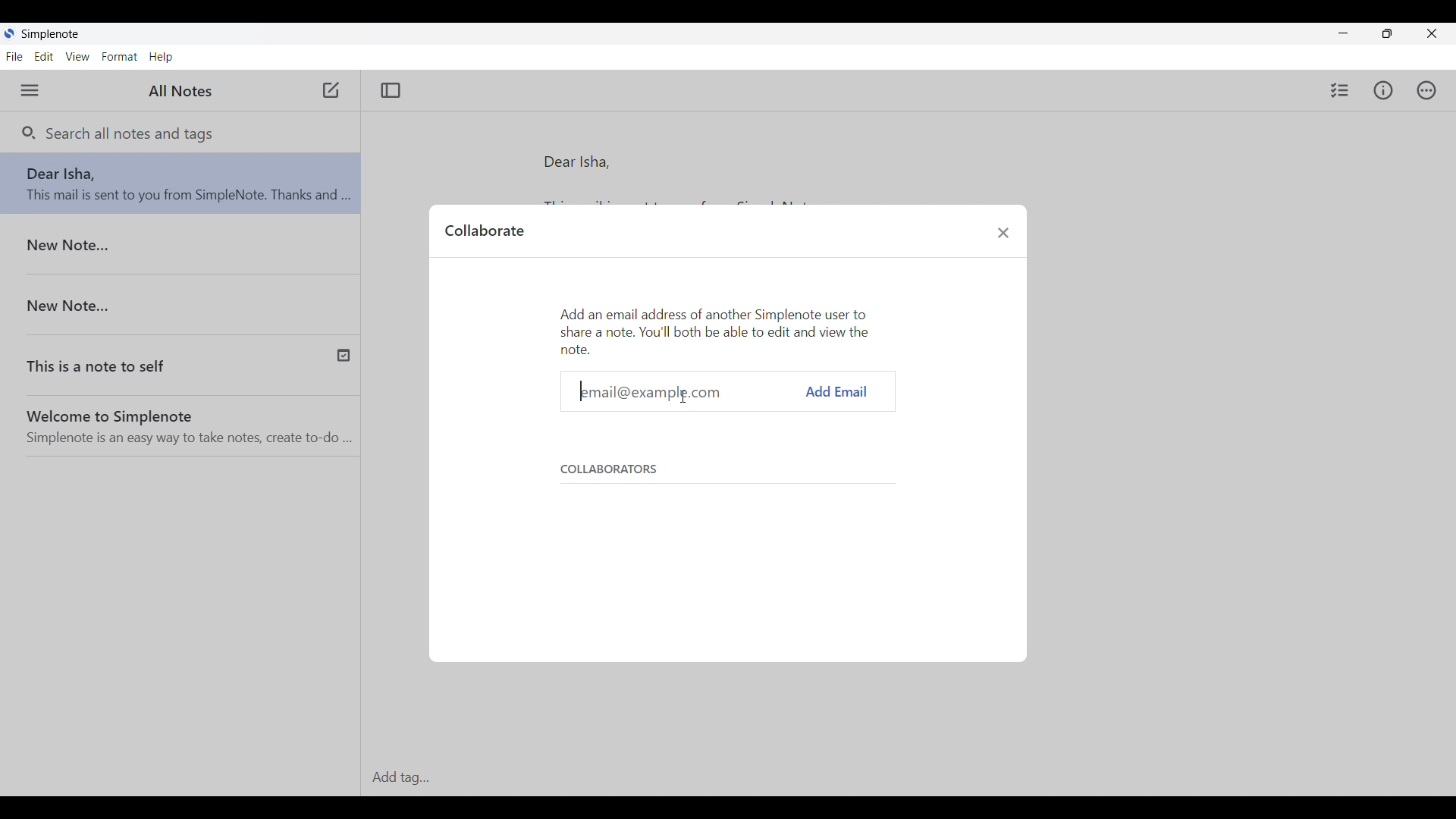  What do you see at coordinates (178, 92) in the screenshot?
I see `All Notes` at bounding box center [178, 92].